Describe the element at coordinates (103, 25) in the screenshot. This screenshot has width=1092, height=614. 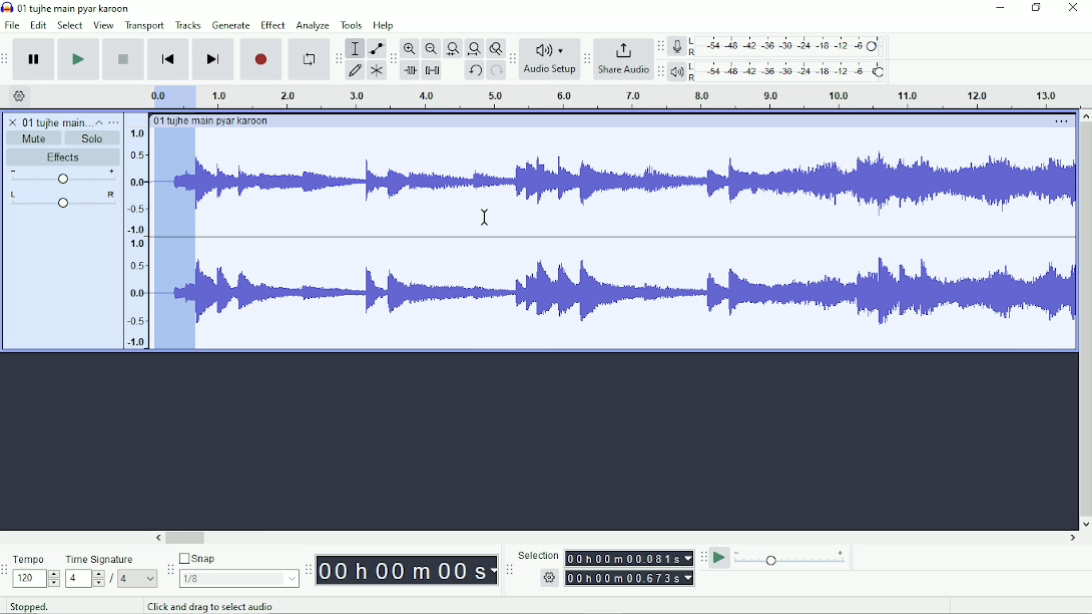
I see `View` at that location.